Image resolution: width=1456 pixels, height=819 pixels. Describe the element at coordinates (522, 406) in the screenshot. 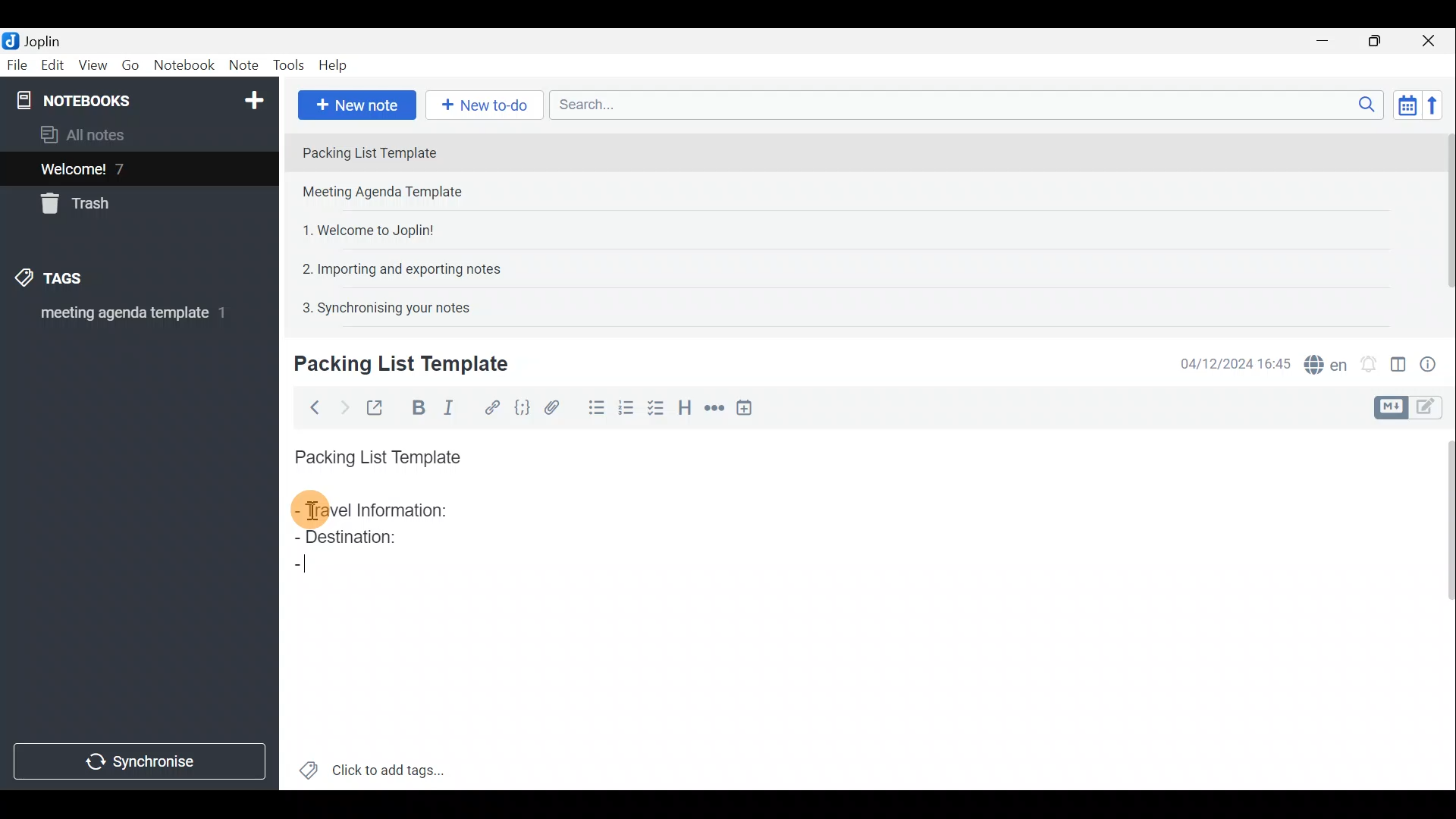

I see `Code` at that location.